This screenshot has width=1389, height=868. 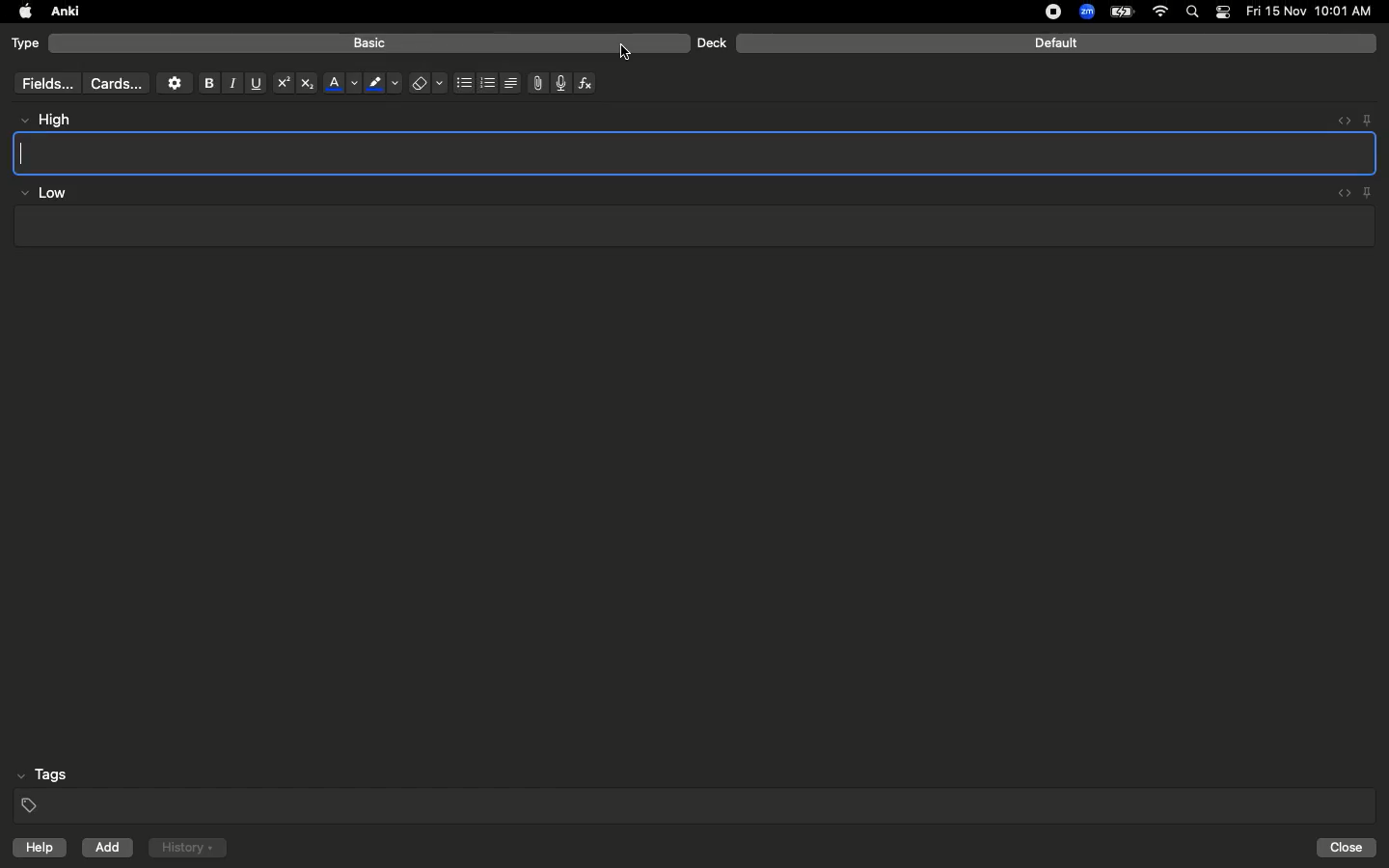 I want to click on Font color, so click(x=340, y=83).